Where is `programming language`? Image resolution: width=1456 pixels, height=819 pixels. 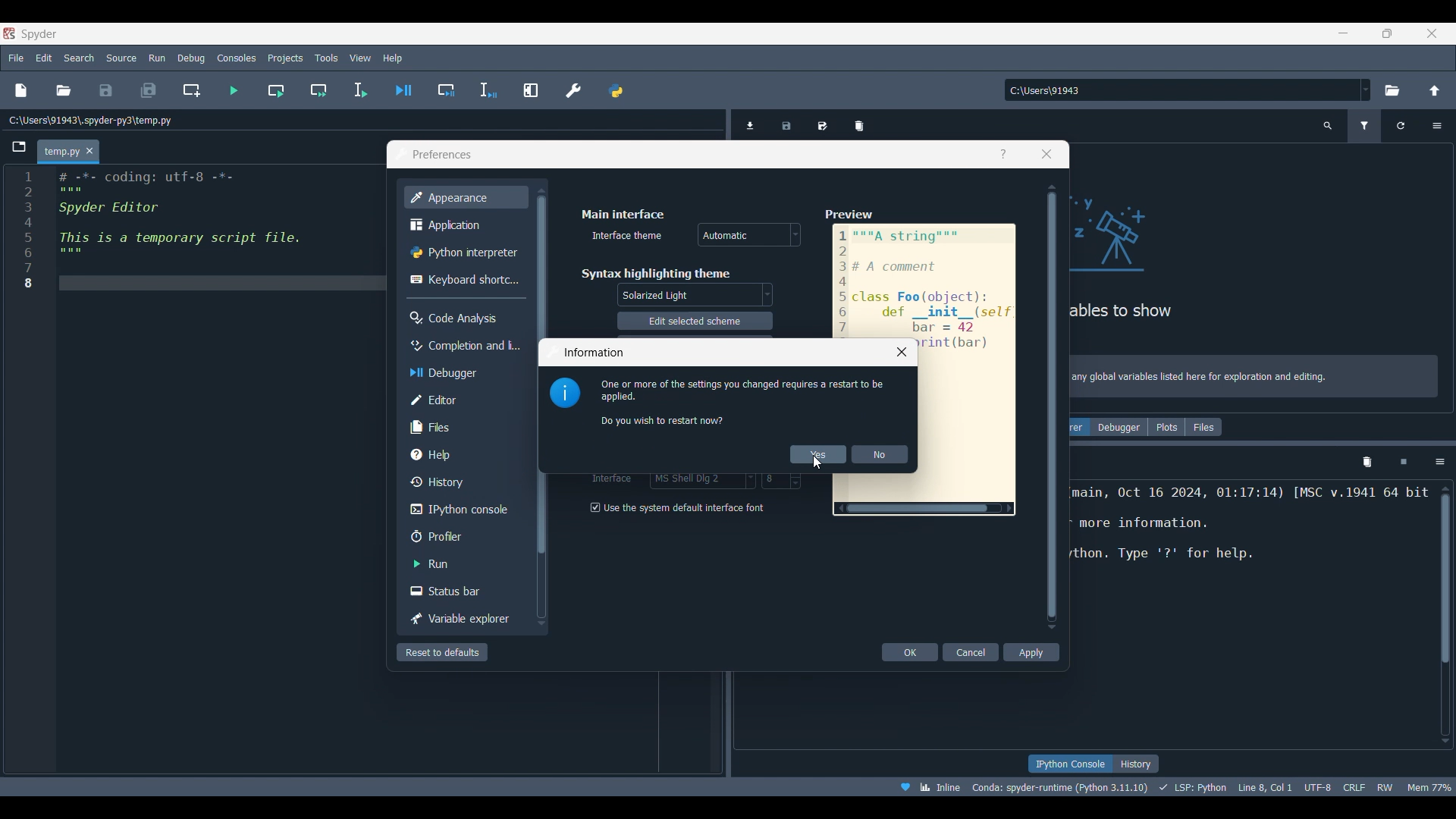
programming language is located at coordinates (1193, 787).